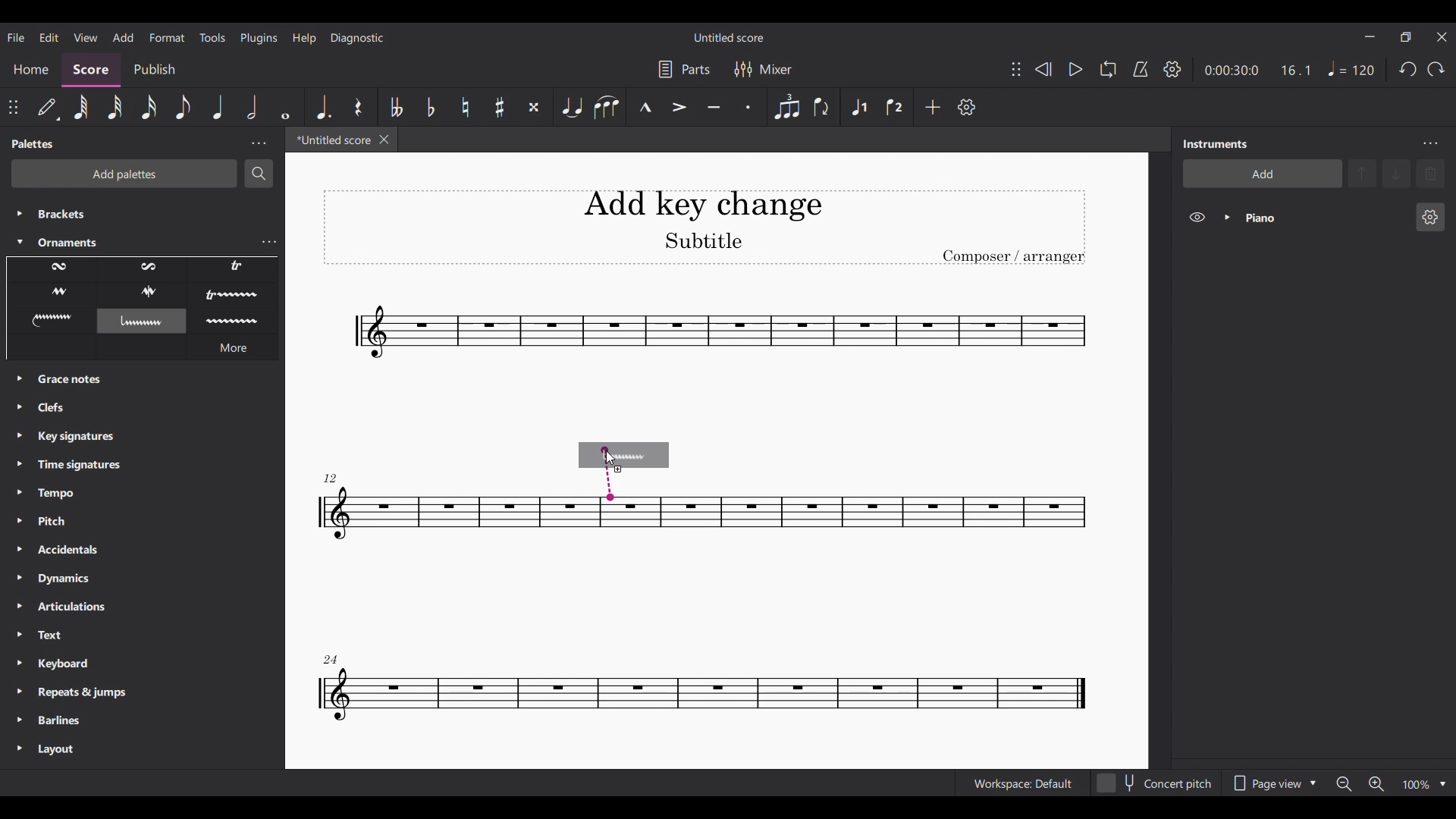  What do you see at coordinates (1362, 174) in the screenshot?
I see `Move up` at bounding box center [1362, 174].